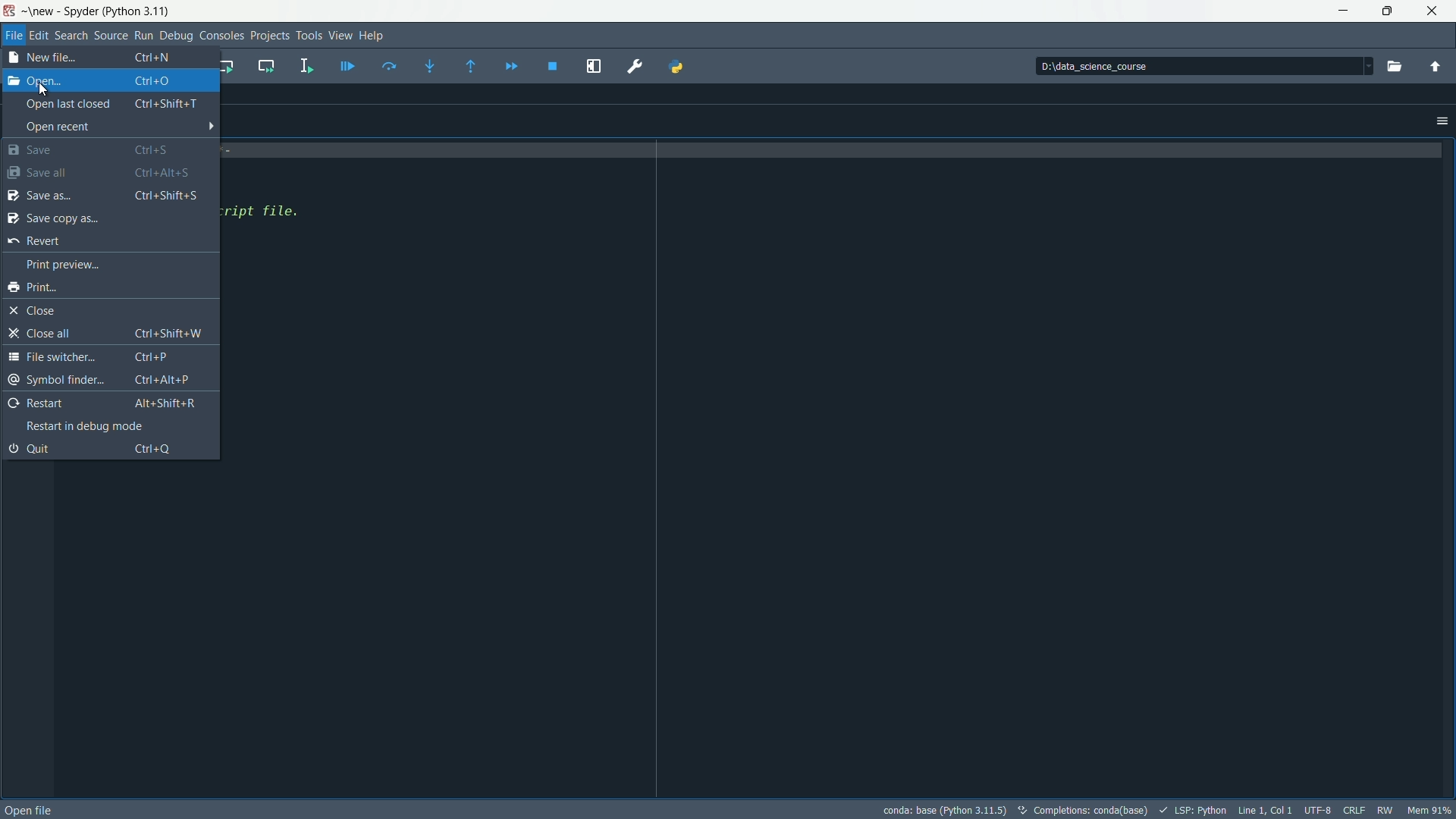 The height and width of the screenshot is (819, 1456). What do you see at coordinates (107, 357) in the screenshot?
I see `file switcher` at bounding box center [107, 357].